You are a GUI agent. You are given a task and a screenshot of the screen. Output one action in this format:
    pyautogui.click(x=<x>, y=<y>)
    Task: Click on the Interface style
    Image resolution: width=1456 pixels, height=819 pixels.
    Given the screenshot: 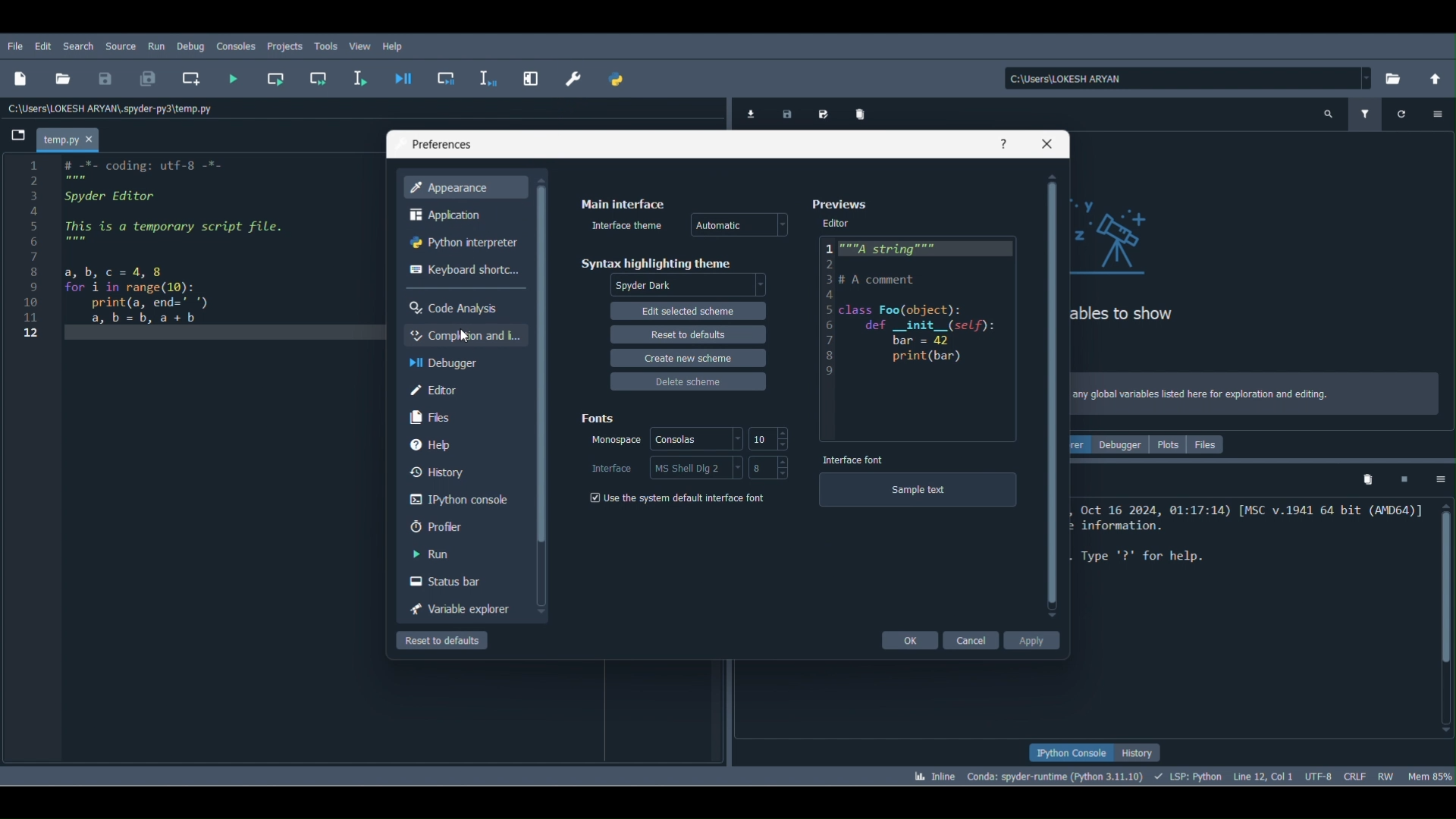 What is the action you would take?
    pyautogui.click(x=691, y=469)
    